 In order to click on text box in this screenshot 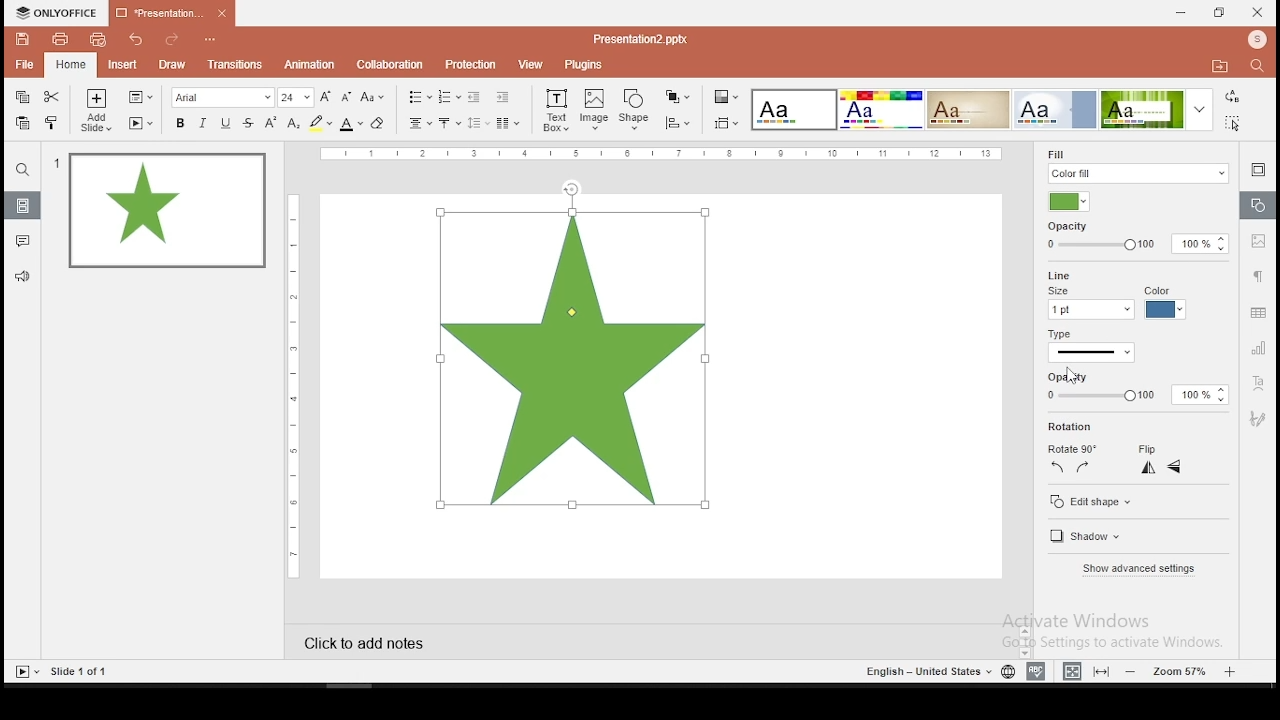, I will do `click(555, 109)`.